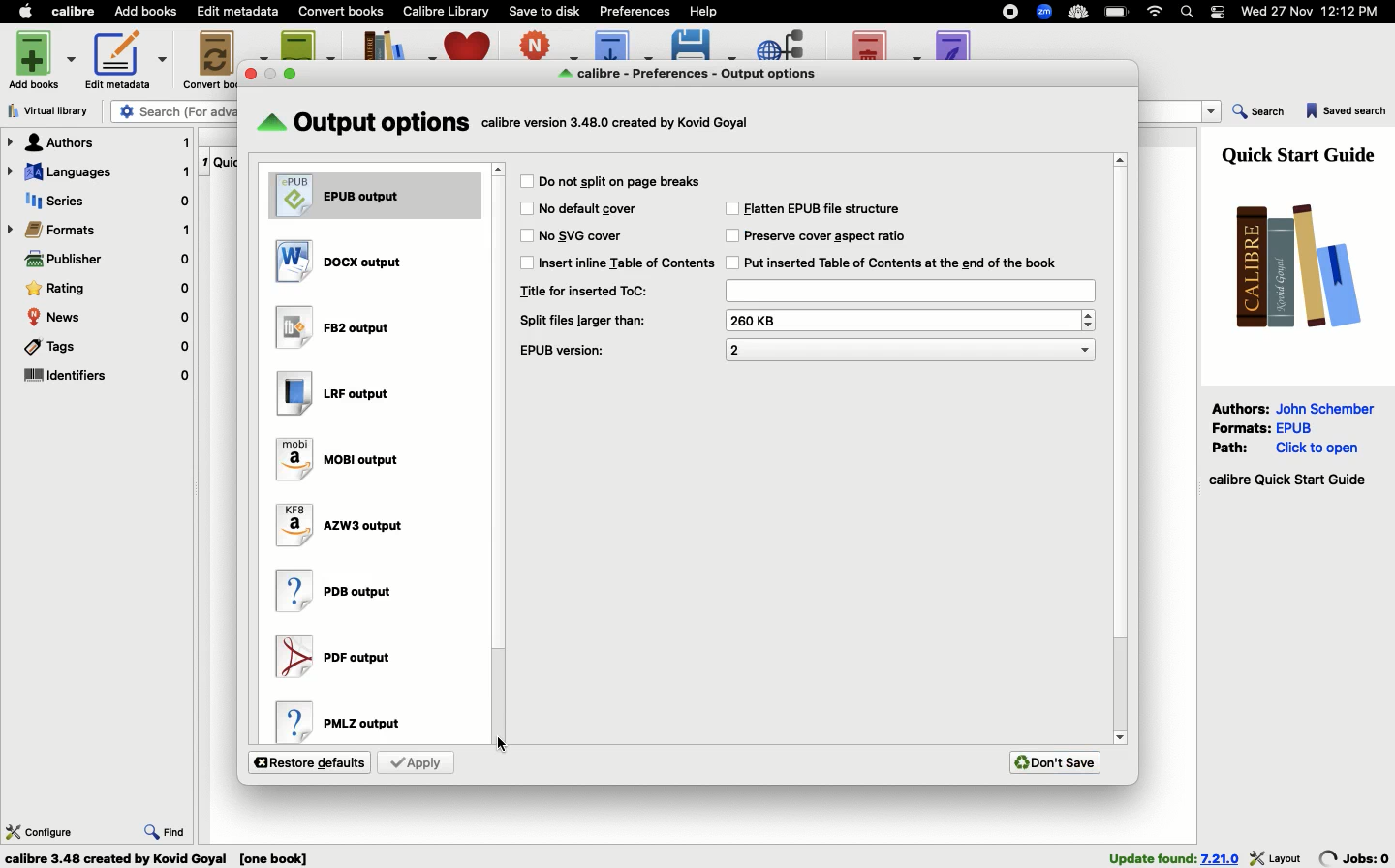  Describe the element at coordinates (1328, 407) in the screenshot. I see `John Schember` at that location.